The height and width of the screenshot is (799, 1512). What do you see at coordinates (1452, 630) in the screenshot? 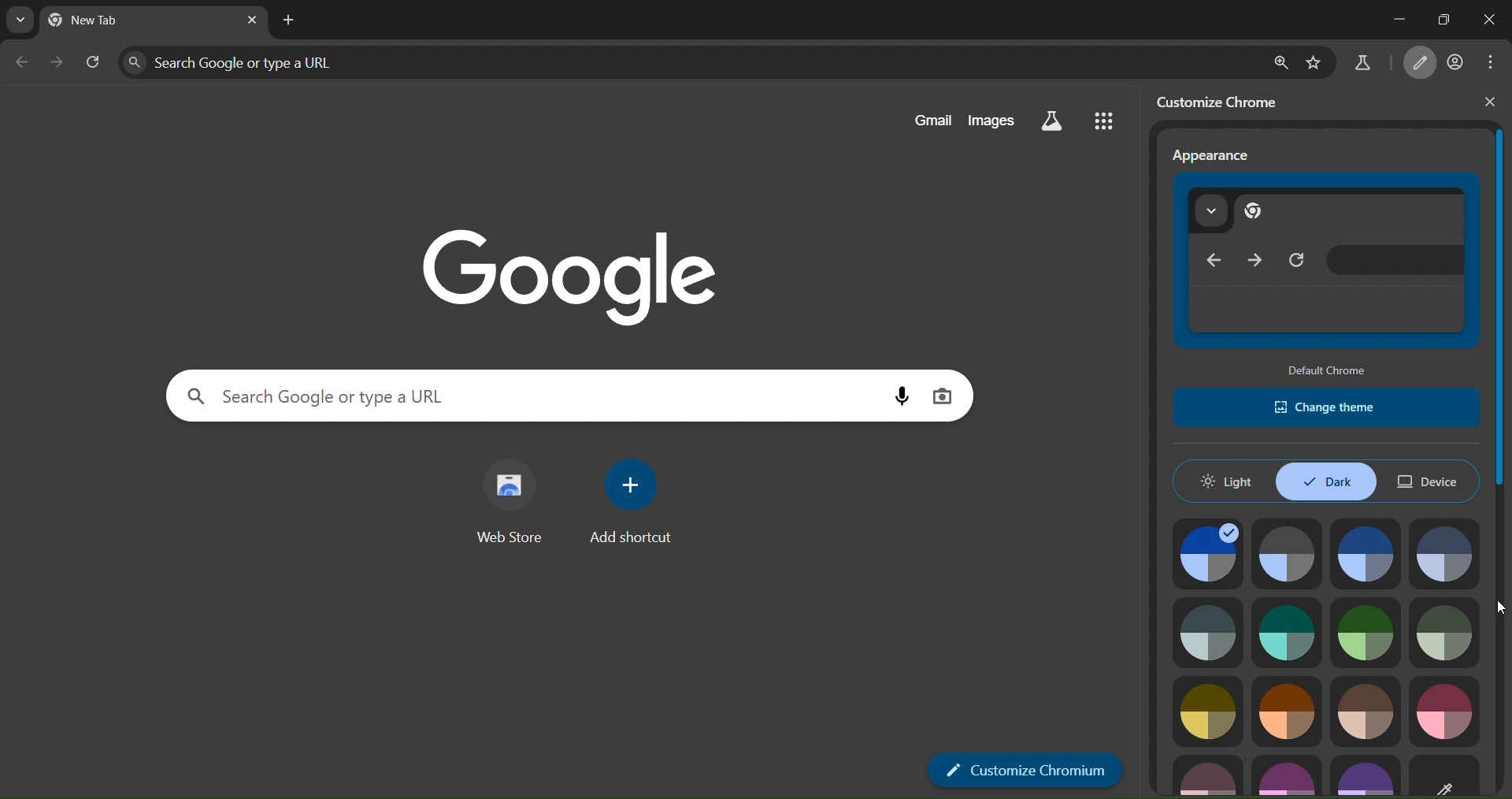
I see `theme` at bounding box center [1452, 630].